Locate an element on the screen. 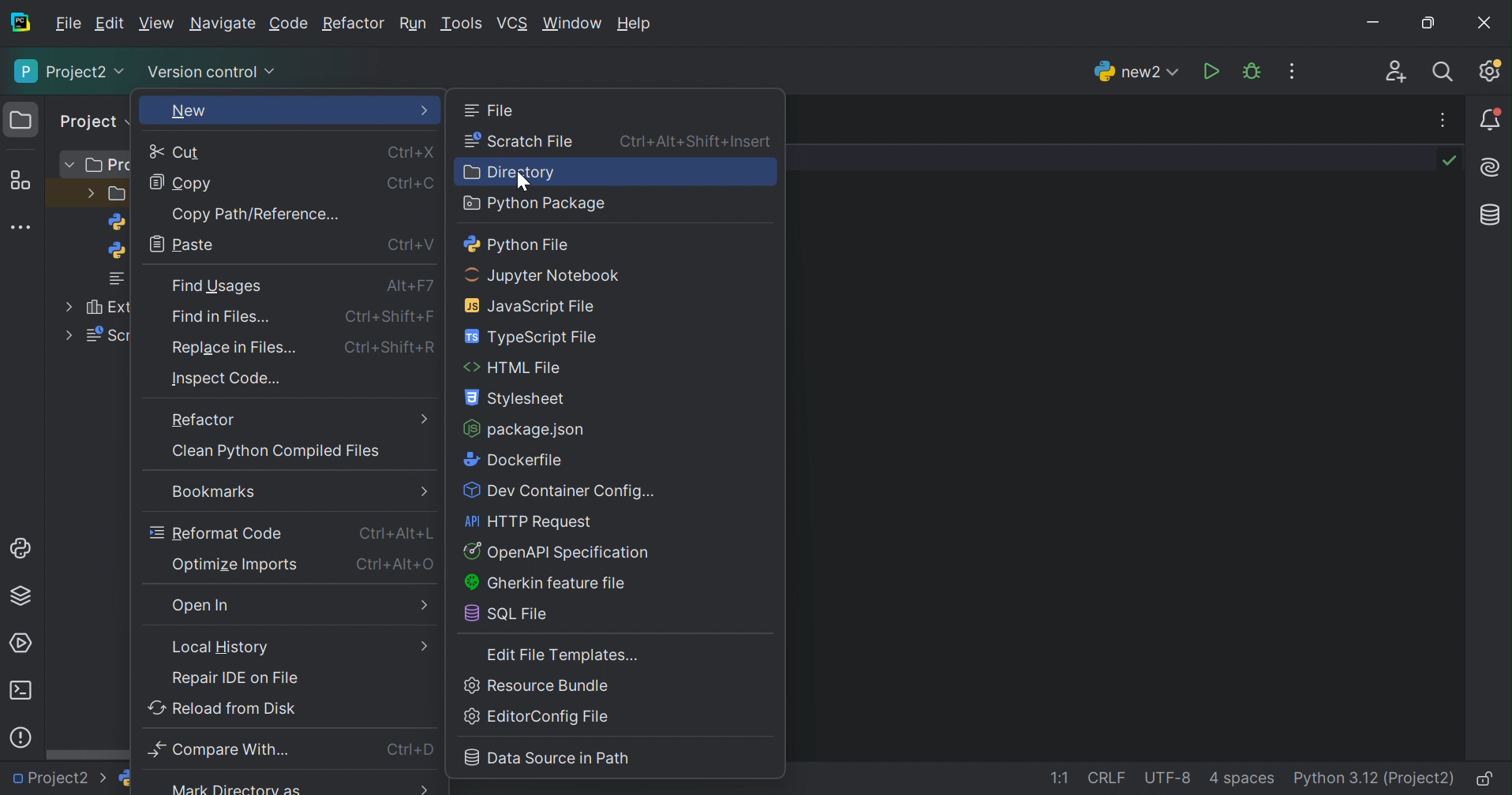 This screenshot has width=1512, height=795. Tools is located at coordinates (464, 24).